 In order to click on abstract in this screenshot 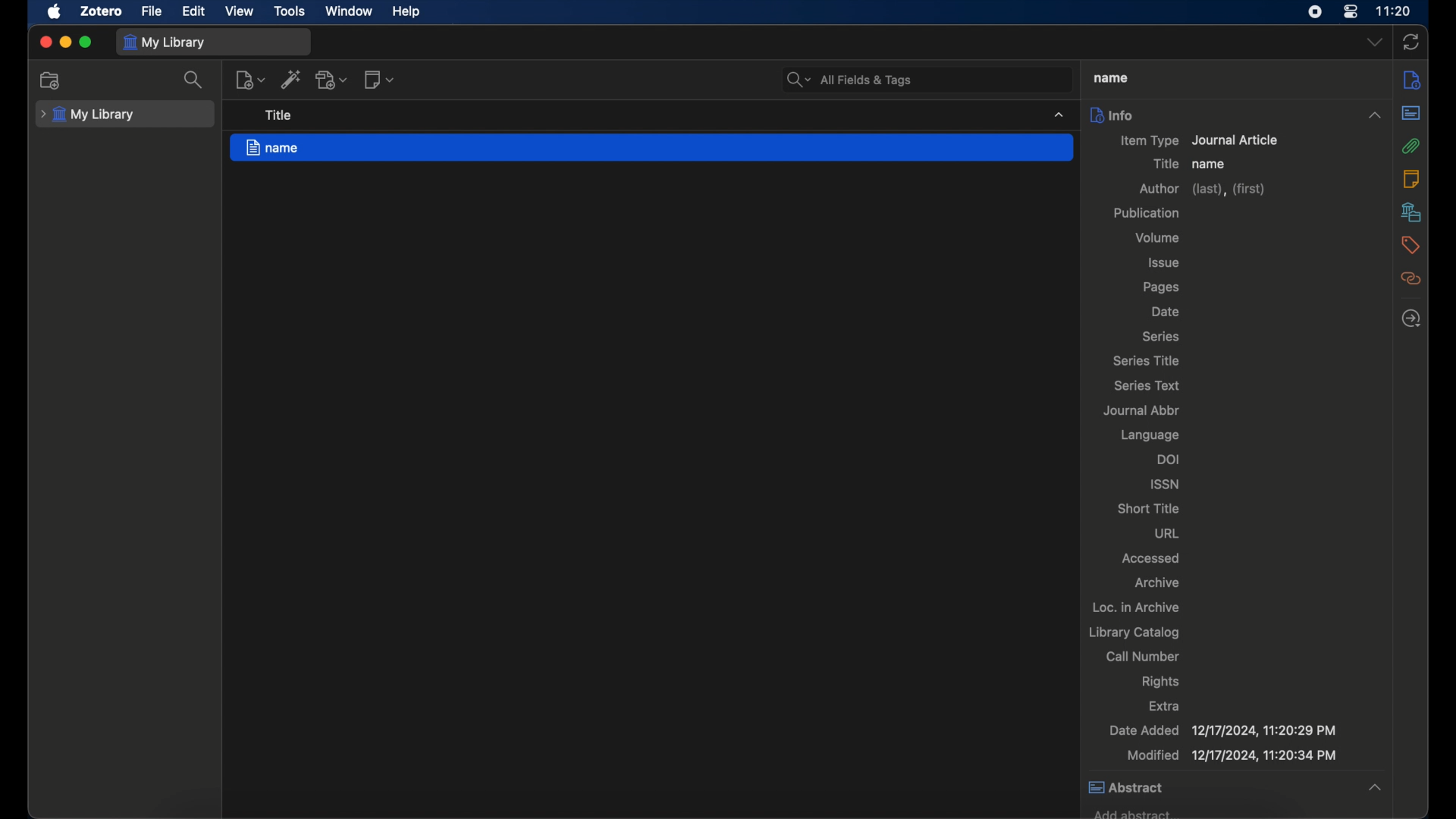, I will do `click(1234, 788)`.